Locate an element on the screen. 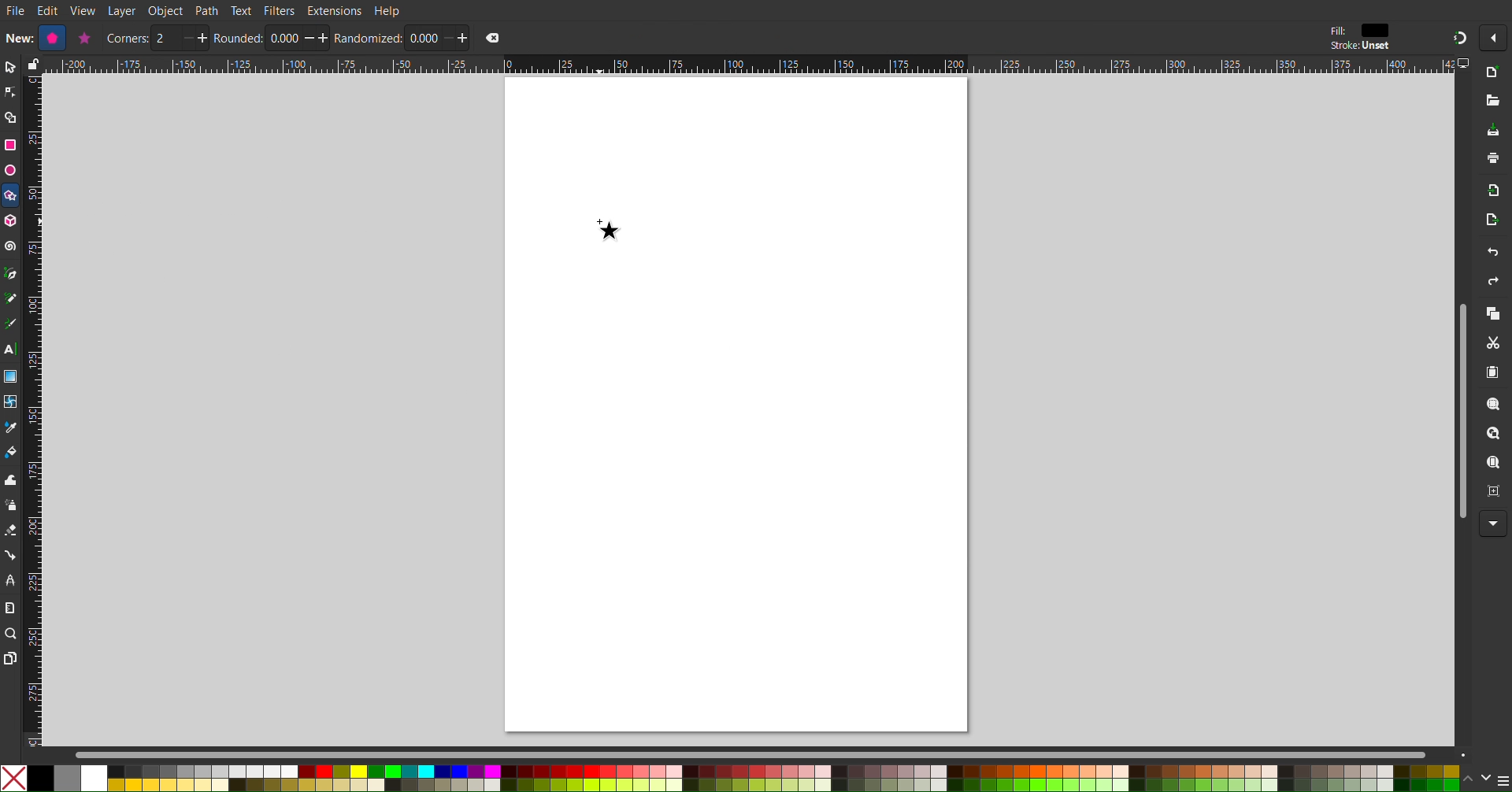 Image resolution: width=1512 pixels, height=792 pixels. Fill Color is located at coordinates (11, 455).